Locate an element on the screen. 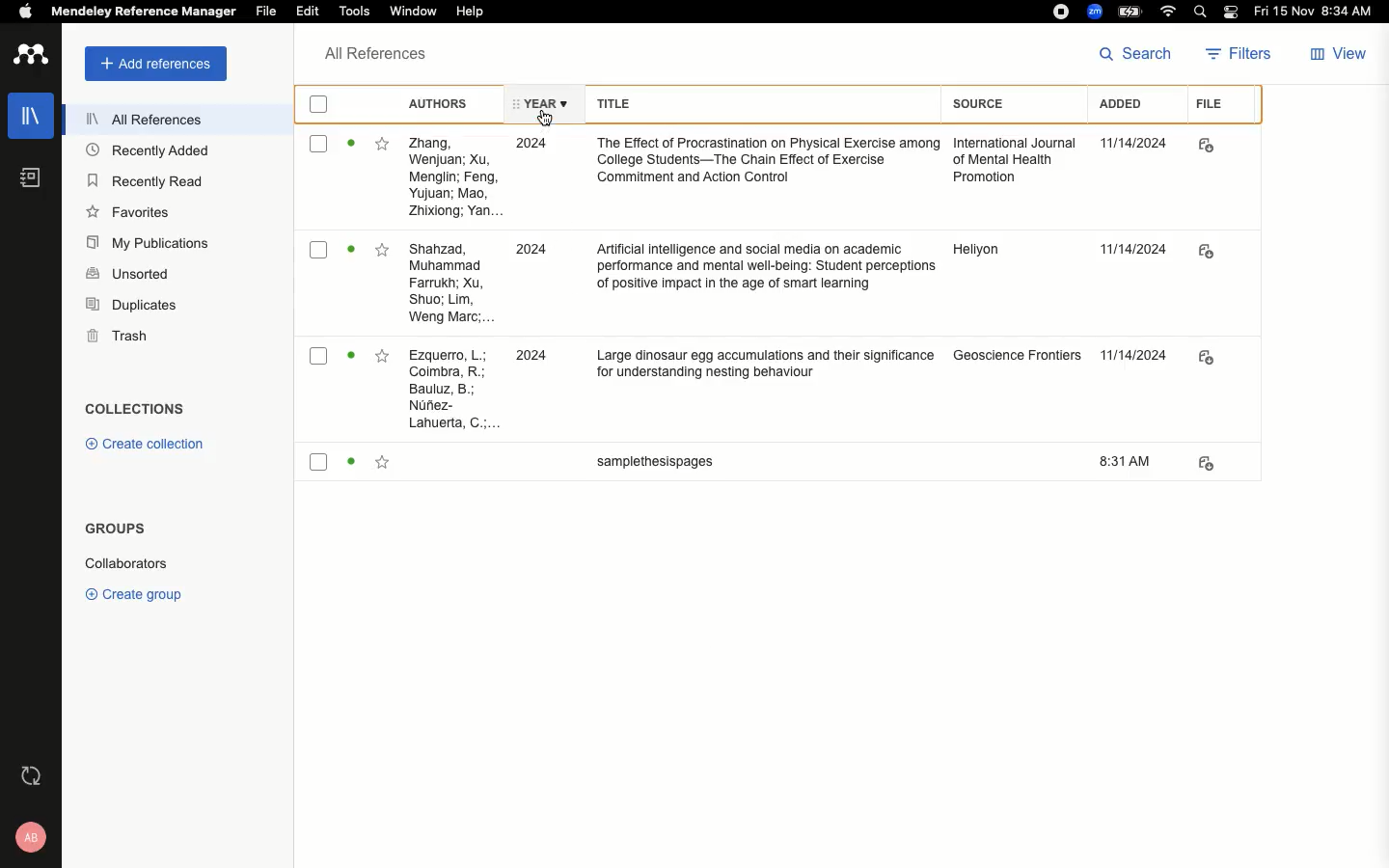 This screenshot has height=868, width=1389. titlle  is located at coordinates (757, 275).